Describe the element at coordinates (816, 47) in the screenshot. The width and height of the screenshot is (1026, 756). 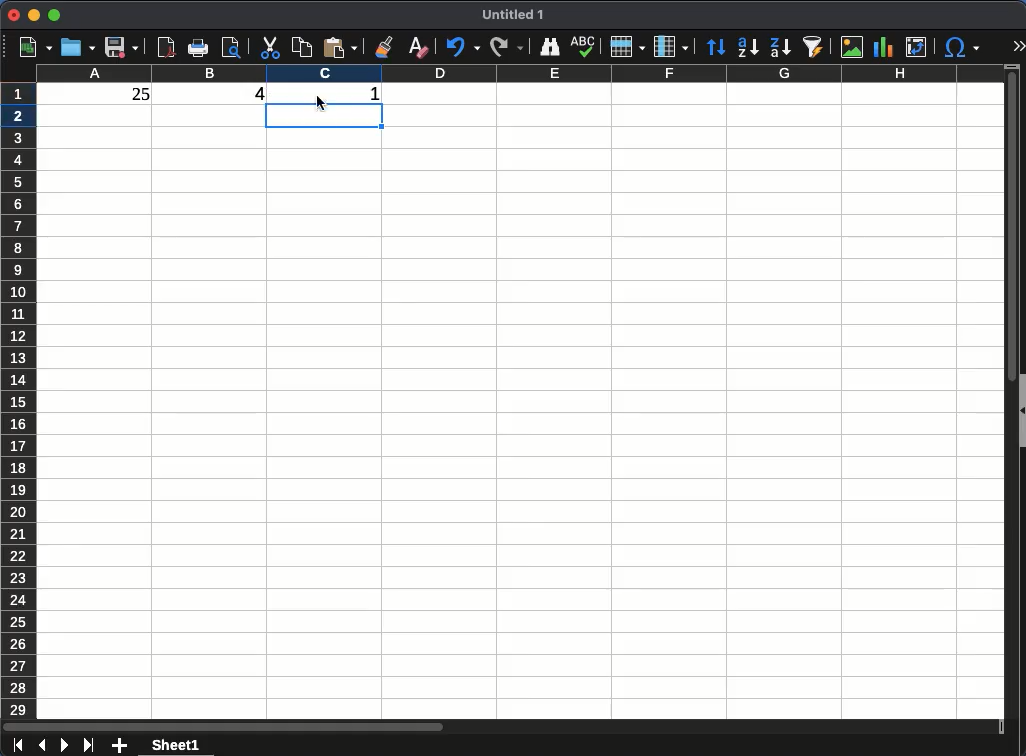
I see `autofilter` at that location.